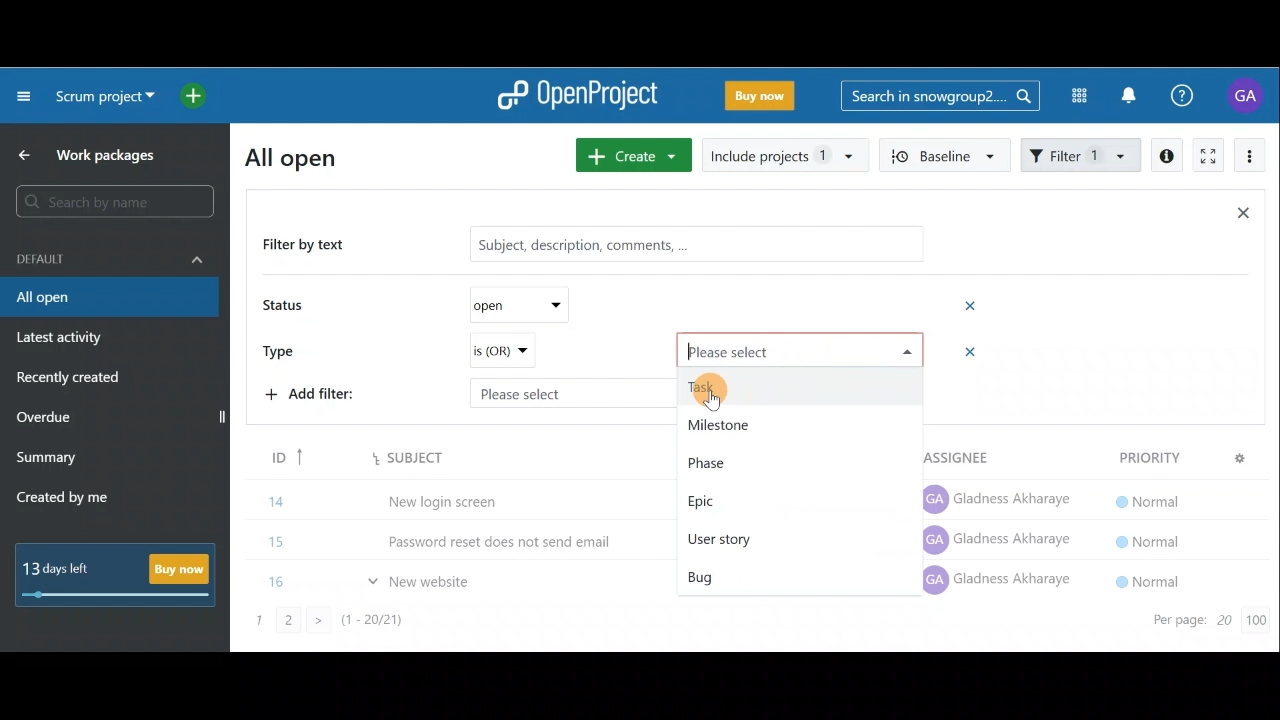  I want to click on Created by me, so click(74, 500).